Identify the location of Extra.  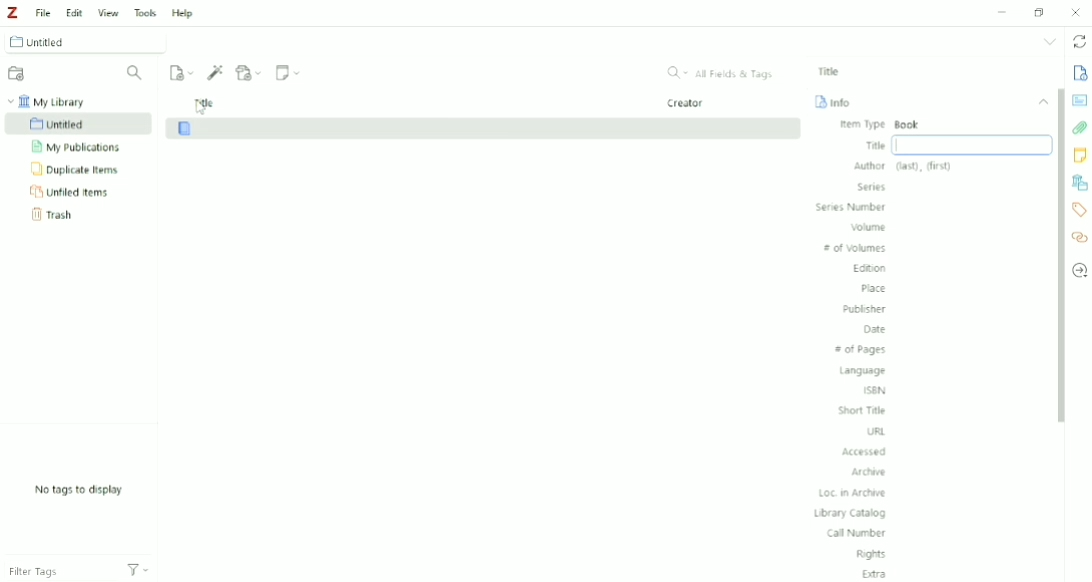
(875, 573).